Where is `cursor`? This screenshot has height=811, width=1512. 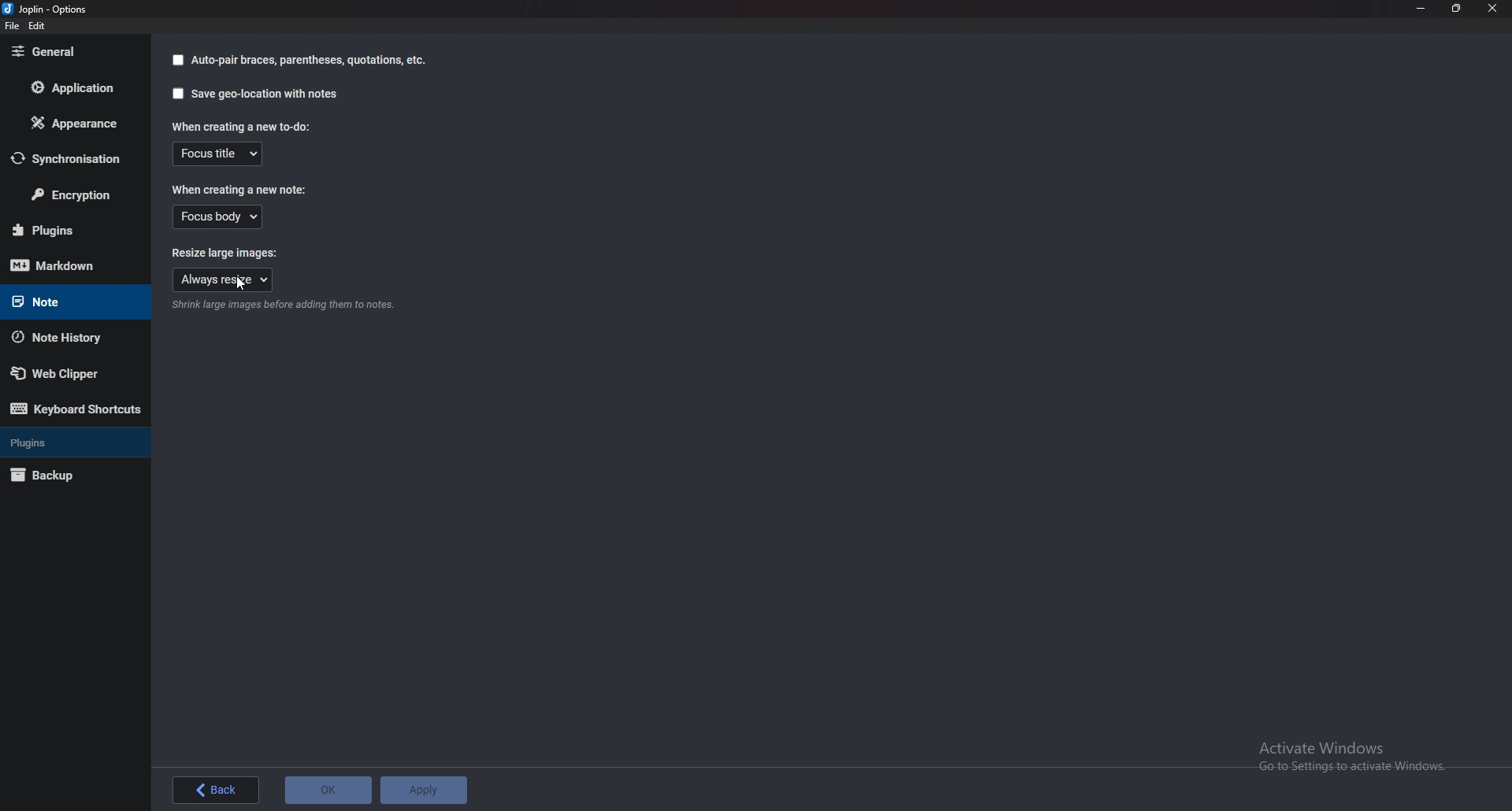
cursor is located at coordinates (243, 283).